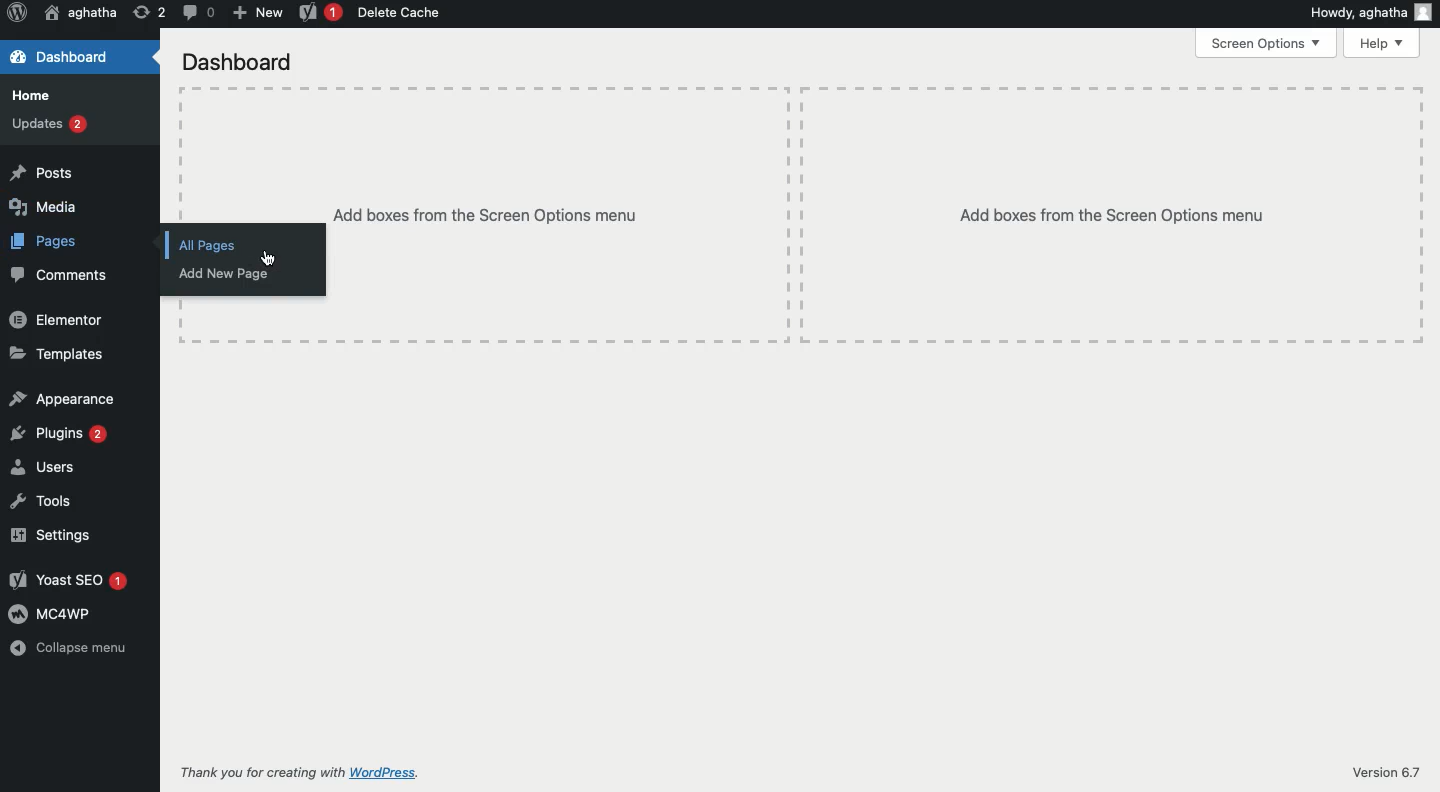  What do you see at coordinates (56, 355) in the screenshot?
I see `Templates` at bounding box center [56, 355].